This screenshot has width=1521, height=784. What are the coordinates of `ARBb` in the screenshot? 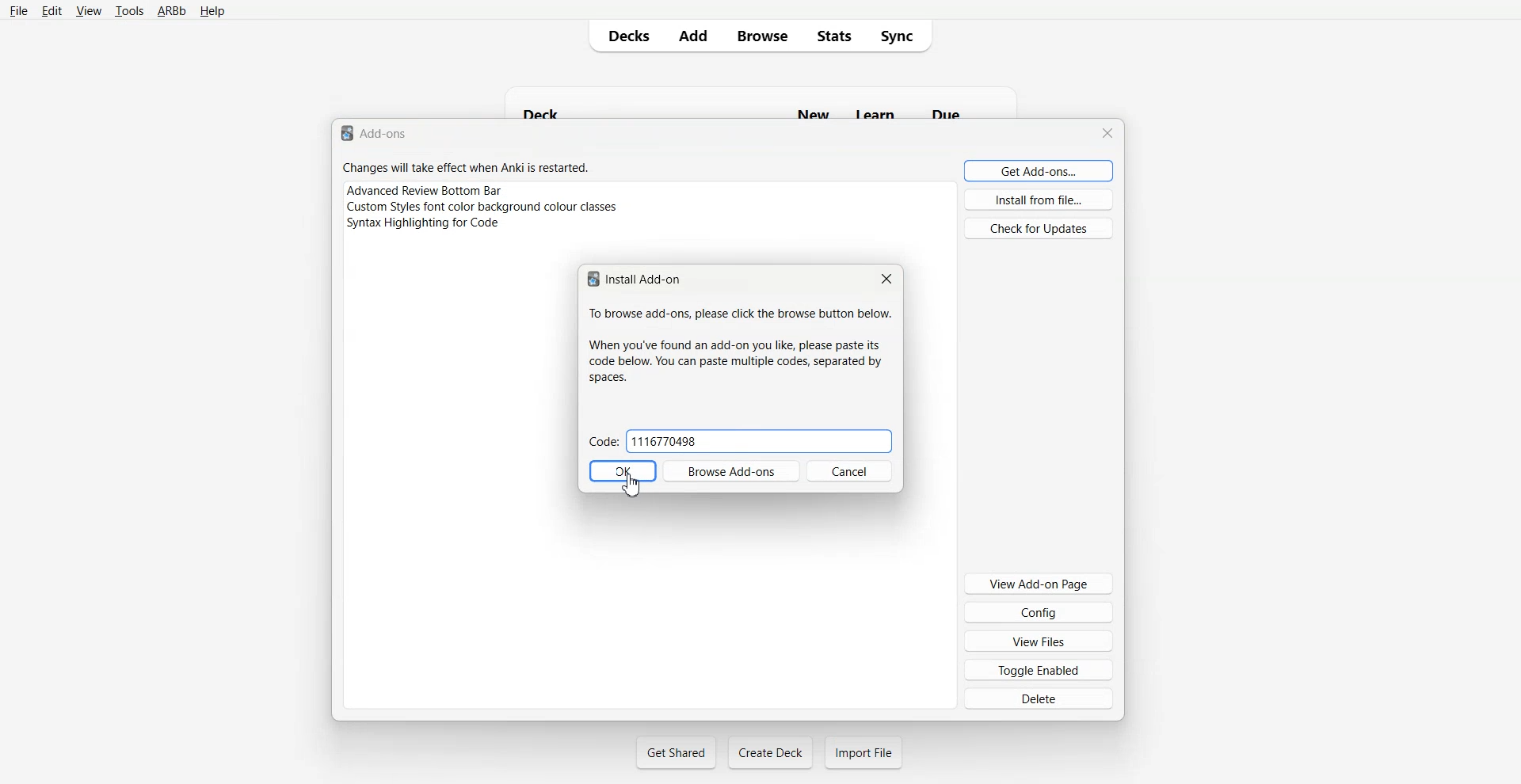 It's located at (171, 10).